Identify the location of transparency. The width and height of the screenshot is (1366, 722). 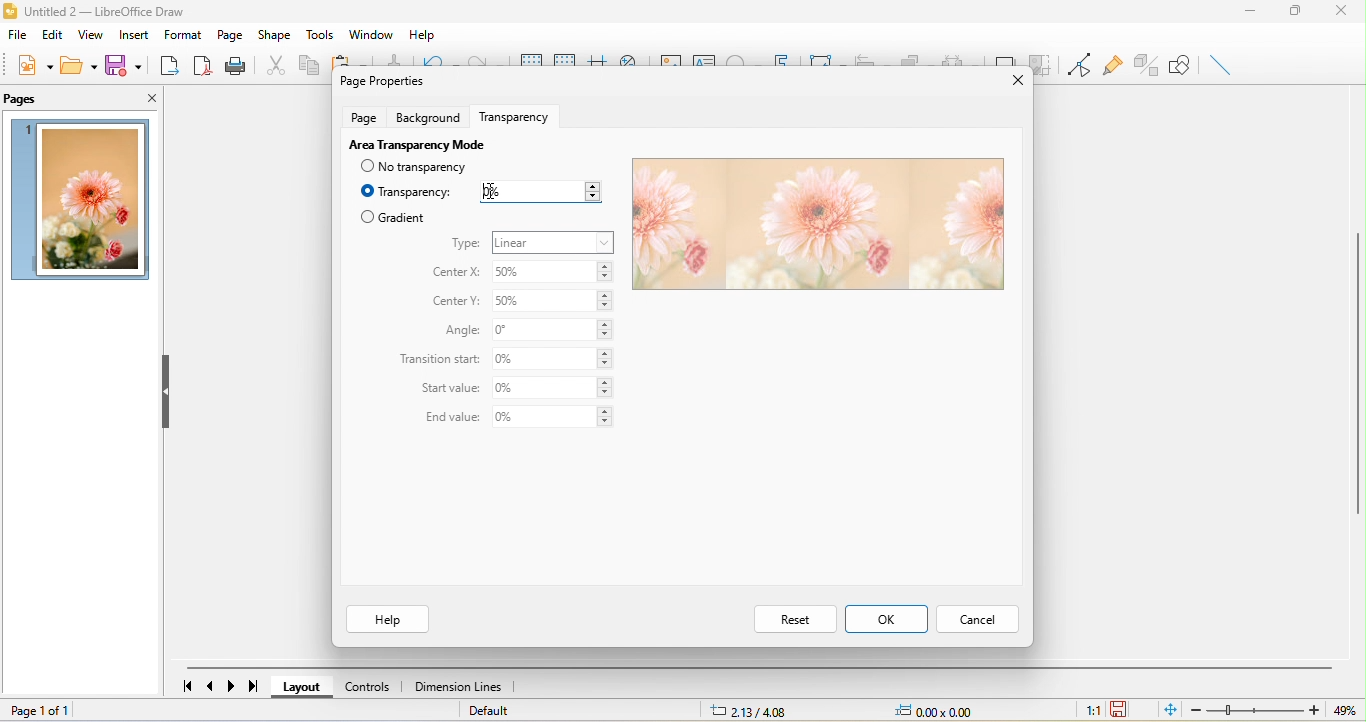
(407, 192).